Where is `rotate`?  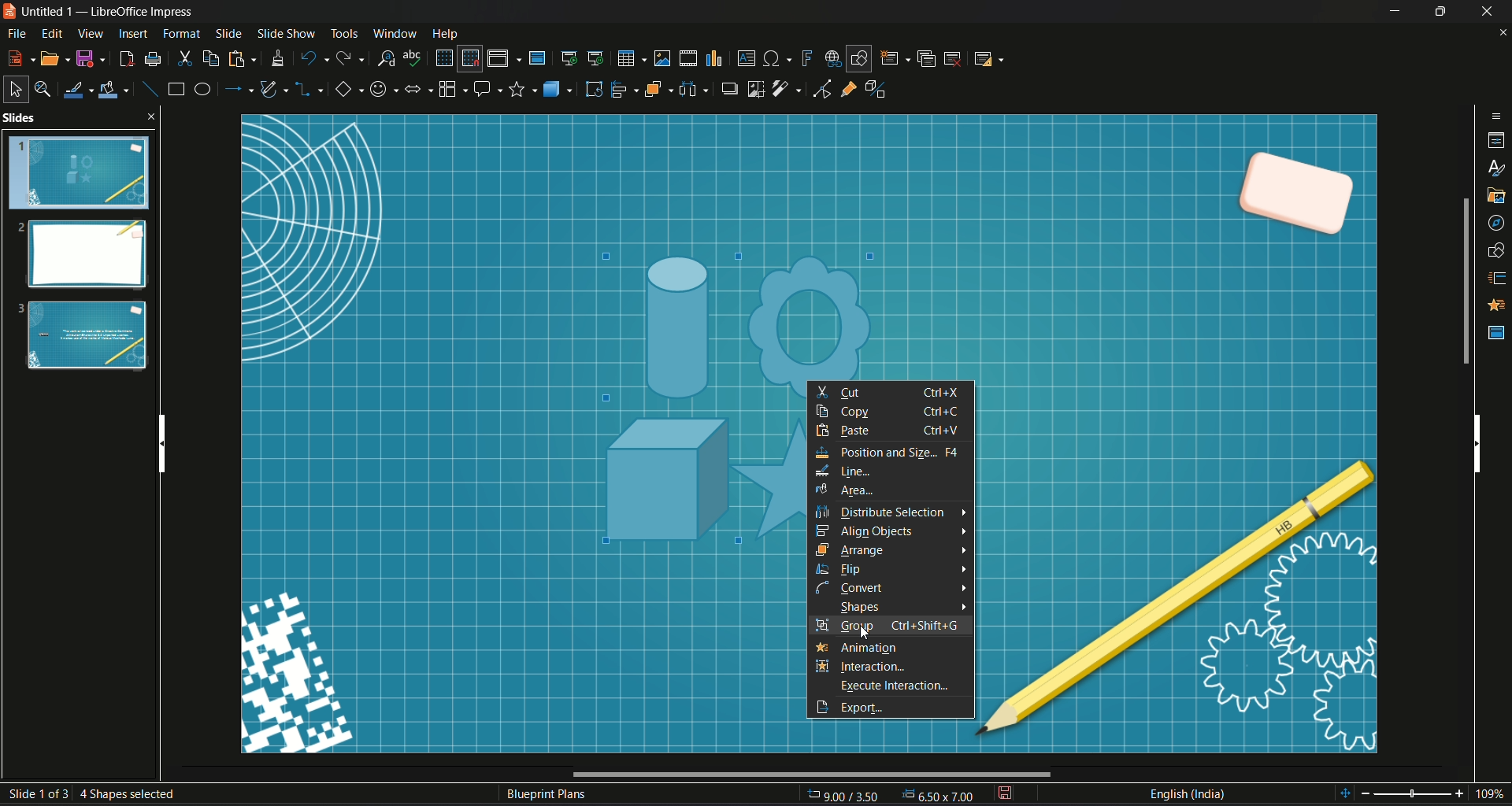 rotate is located at coordinates (594, 89).